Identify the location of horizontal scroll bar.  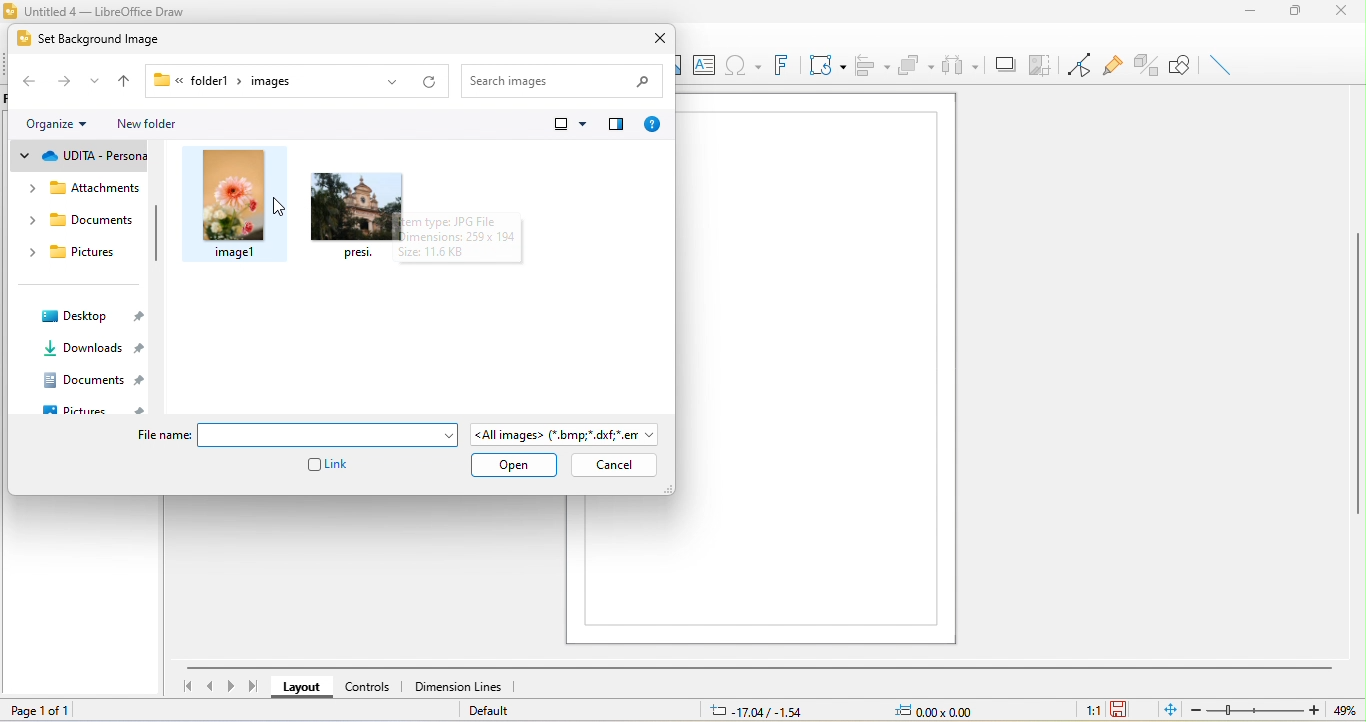
(753, 668).